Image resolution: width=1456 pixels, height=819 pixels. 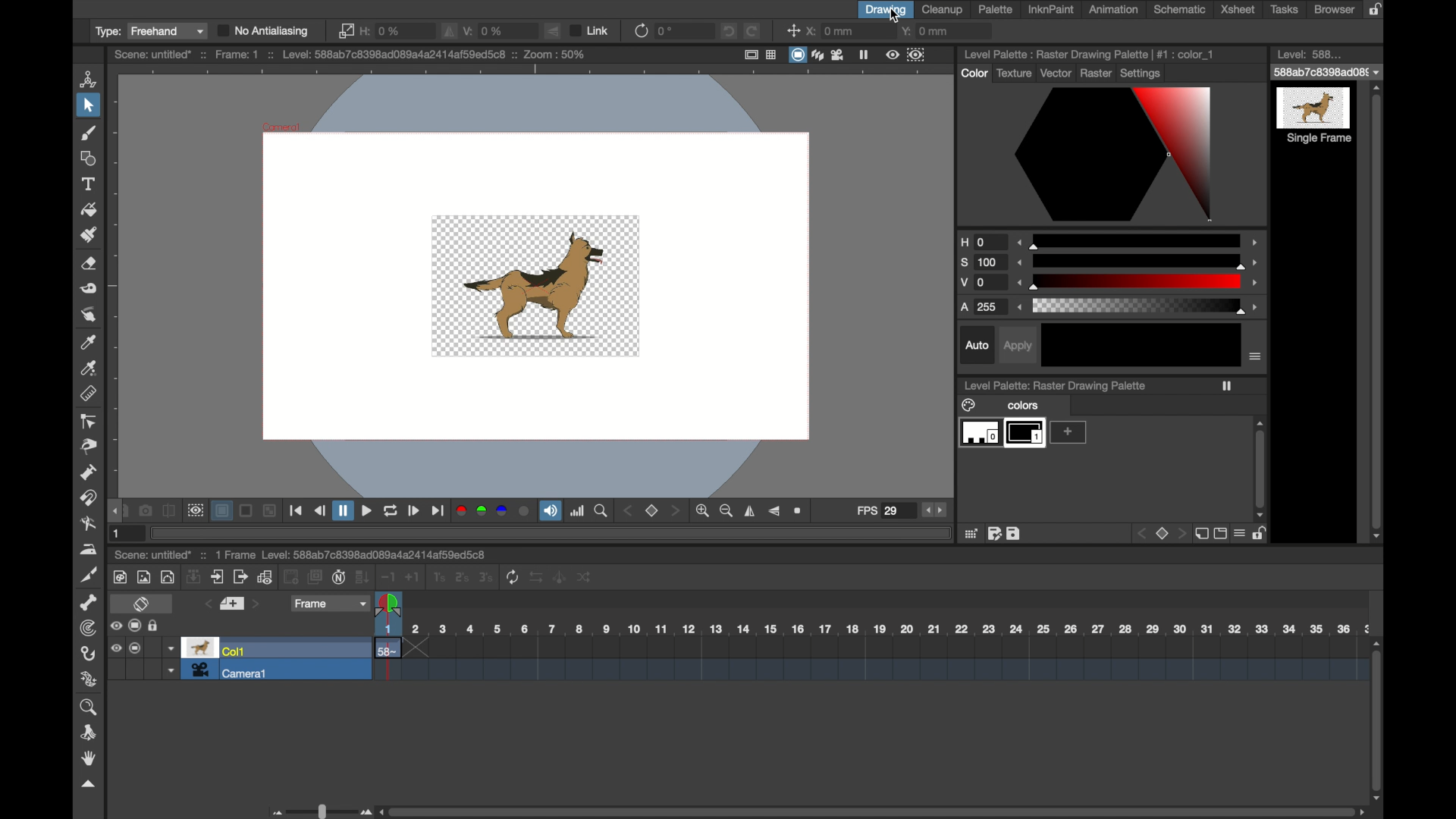 What do you see at coordinates (1051, 10) in the screenshot?
I see `inknpaint ` at bounding box center [1051, 10].